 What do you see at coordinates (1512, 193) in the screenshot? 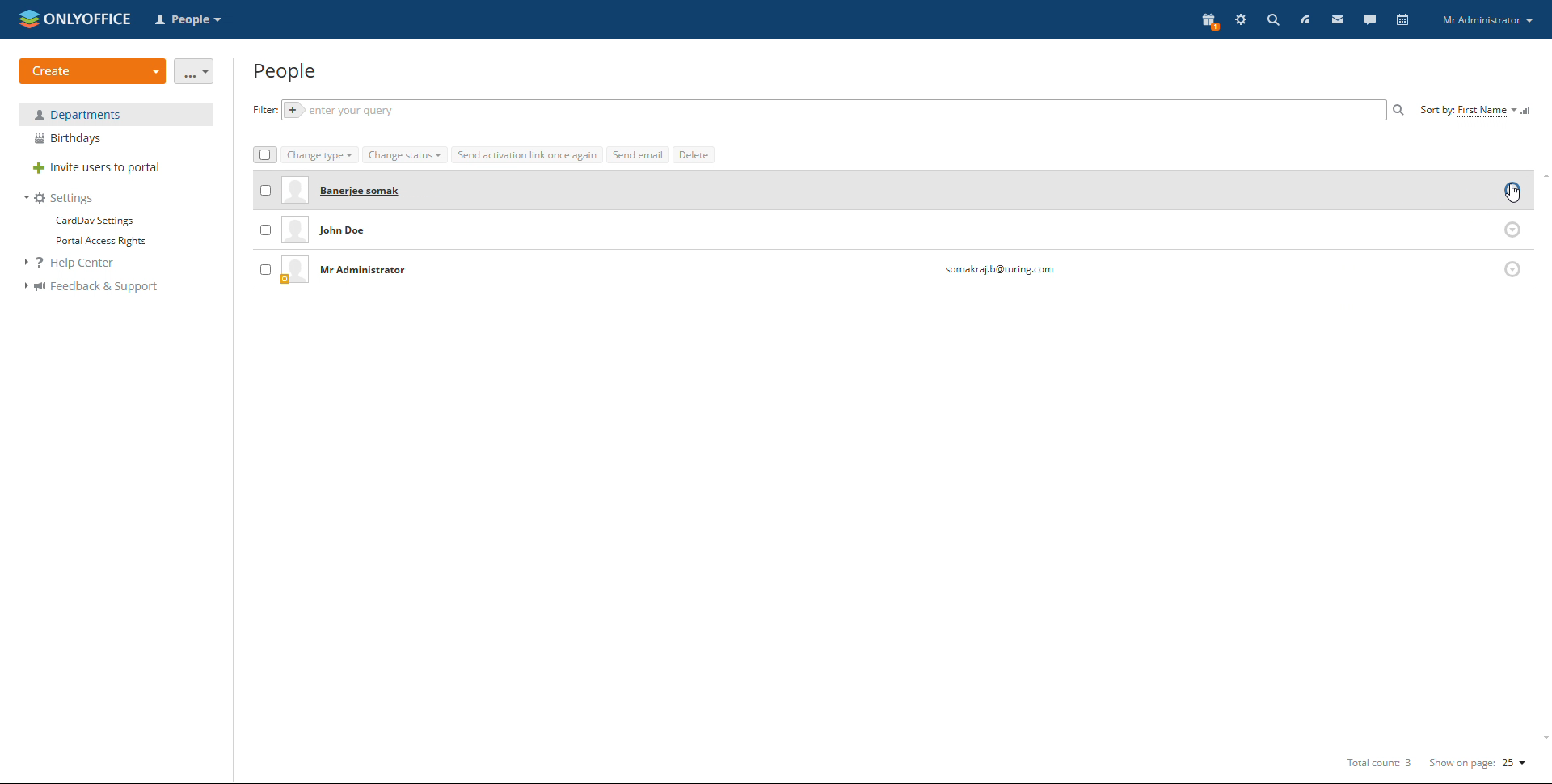
I see `cursor` at bounding box center [1512, 193].